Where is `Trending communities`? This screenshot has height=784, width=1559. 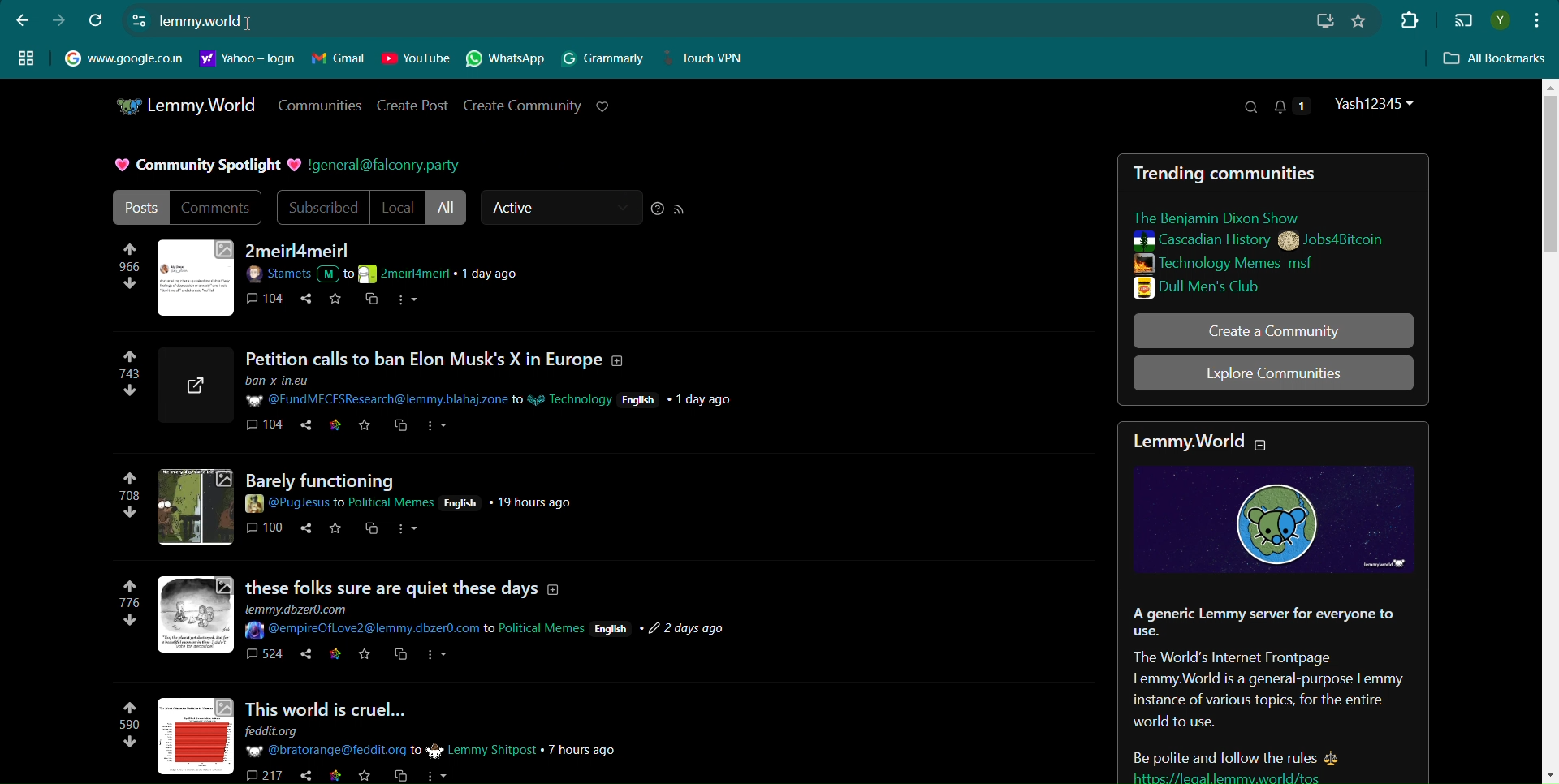 Trending communities is located at coordinates (1237, 174).